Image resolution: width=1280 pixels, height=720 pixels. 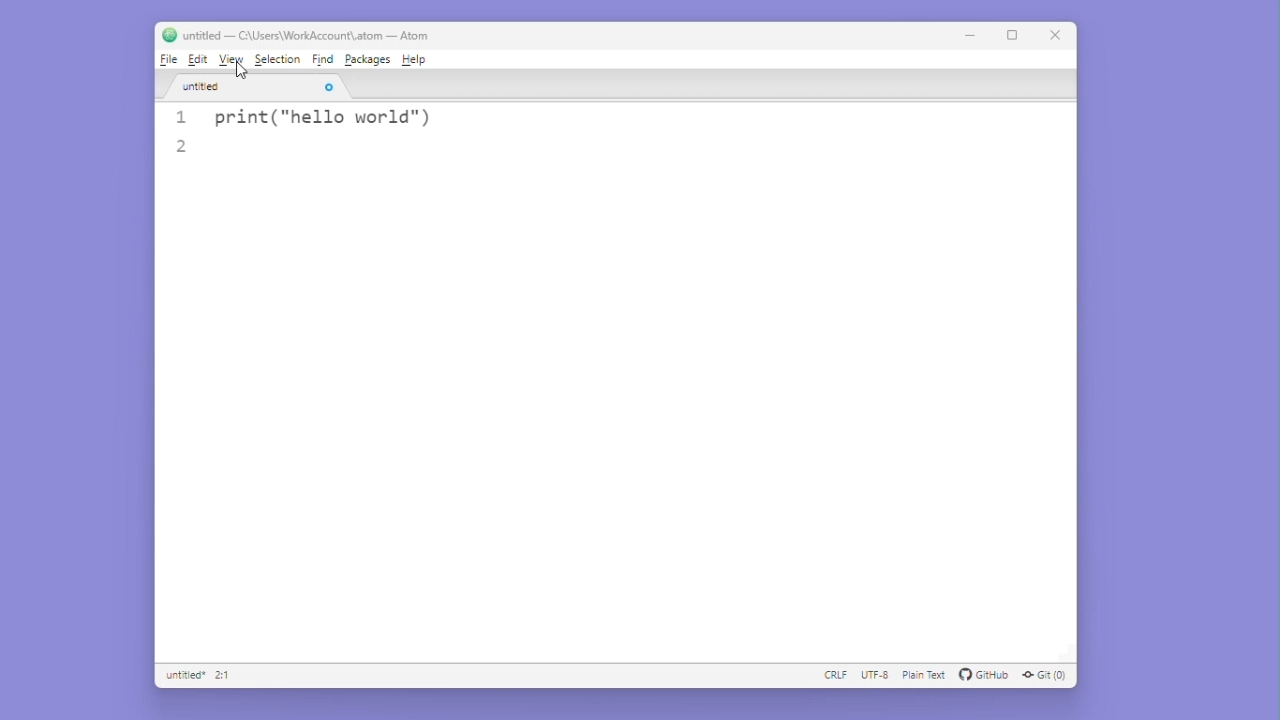 What do you see at coordinates (369, 60) in the screenshot?
I see `Packages` at bounding box center [369, 60].